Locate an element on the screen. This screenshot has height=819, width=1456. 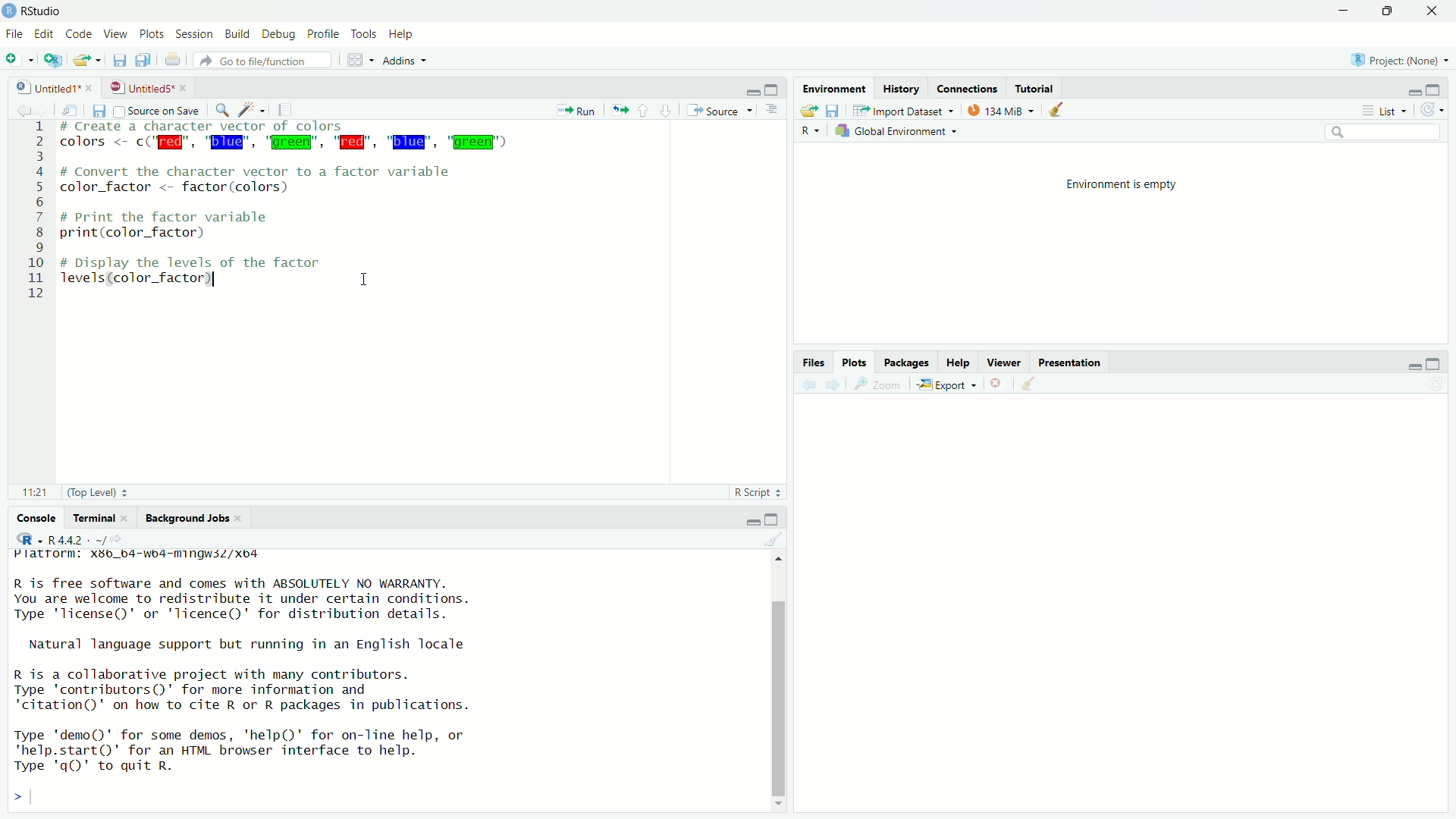
Environment is located at coordinates (836, 87).